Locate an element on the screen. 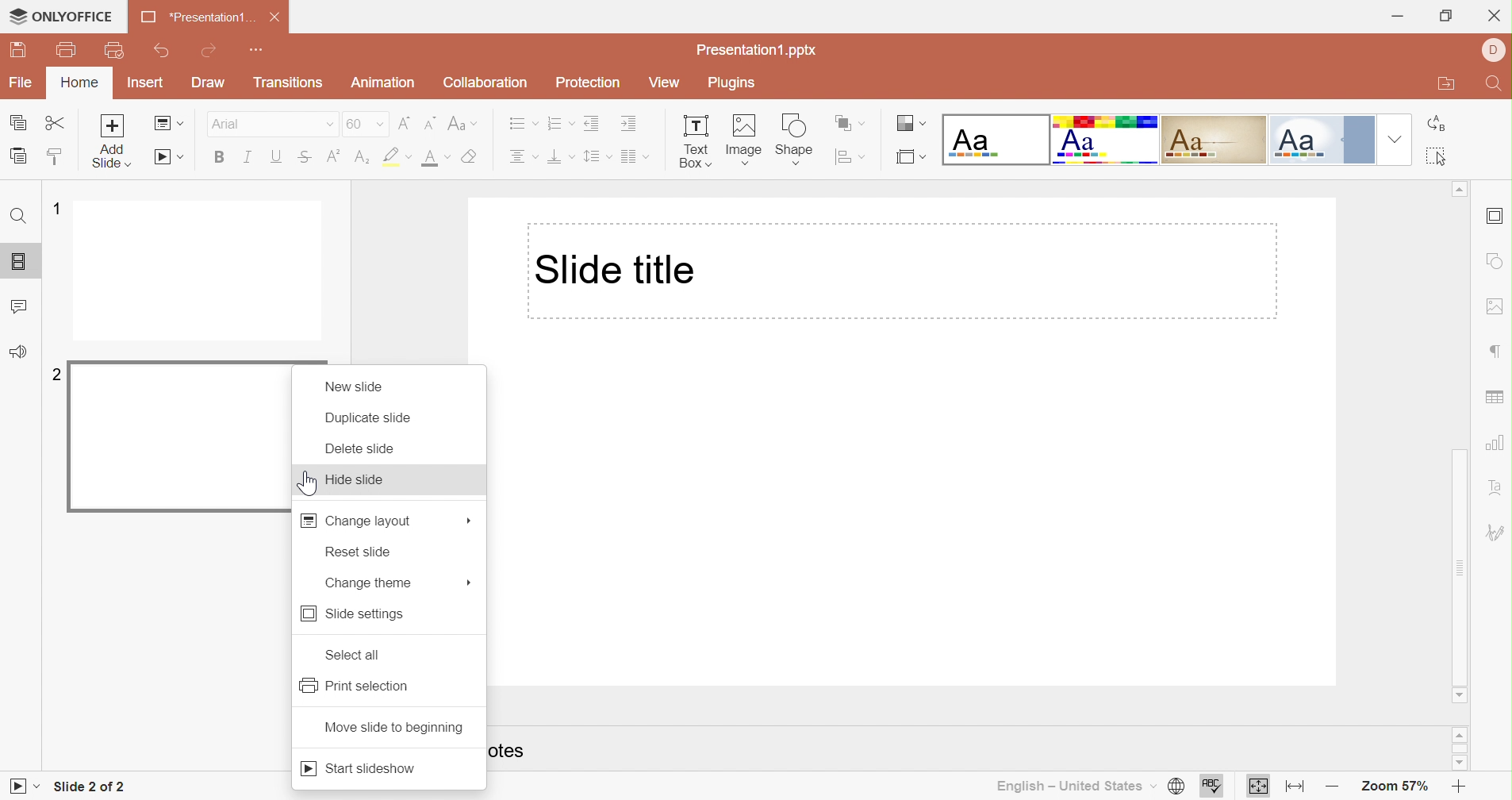  60 is located at coordinates (354, 124).